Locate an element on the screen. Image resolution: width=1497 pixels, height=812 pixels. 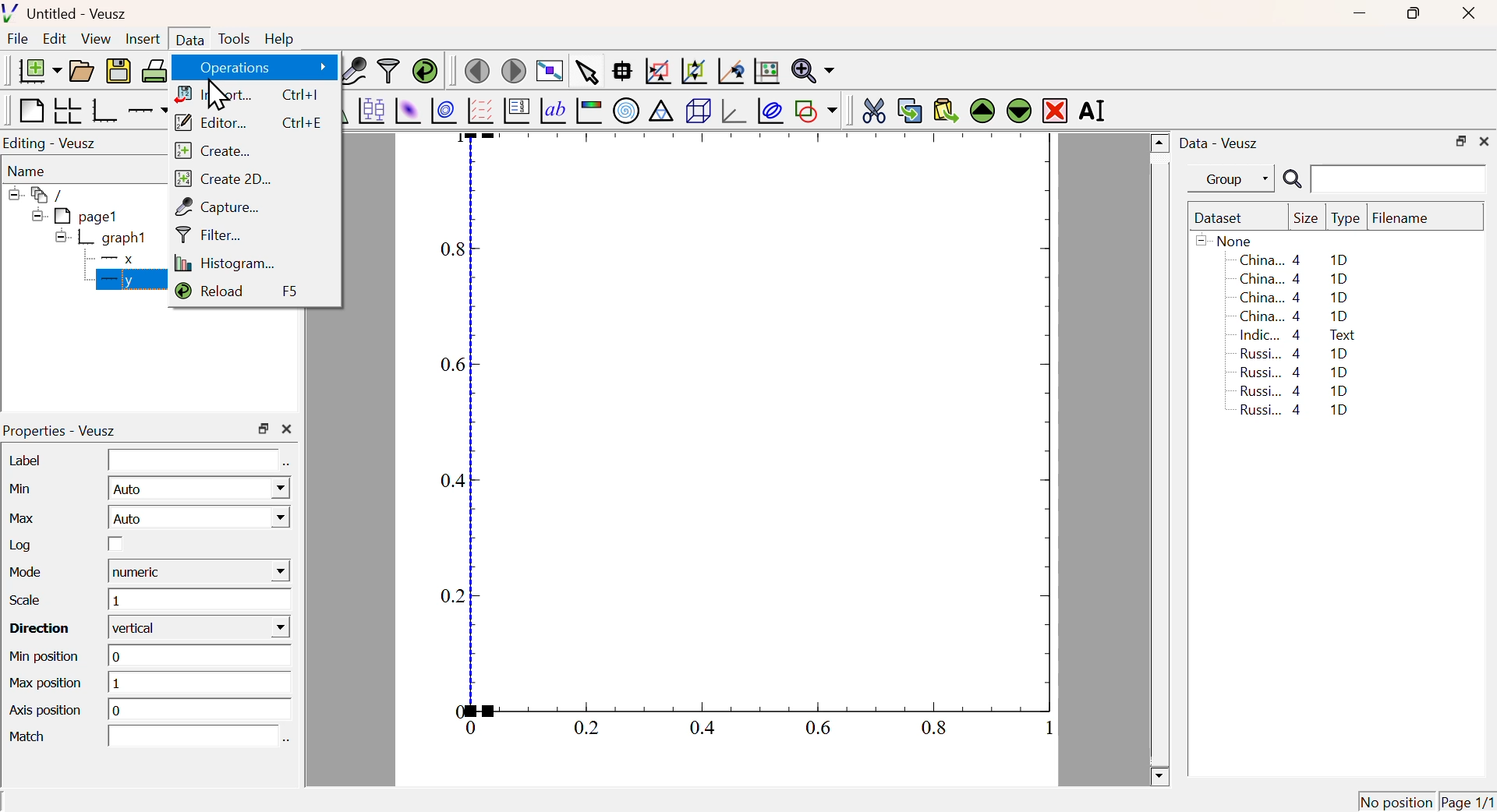
Max position is located at coordinates (48, 684).